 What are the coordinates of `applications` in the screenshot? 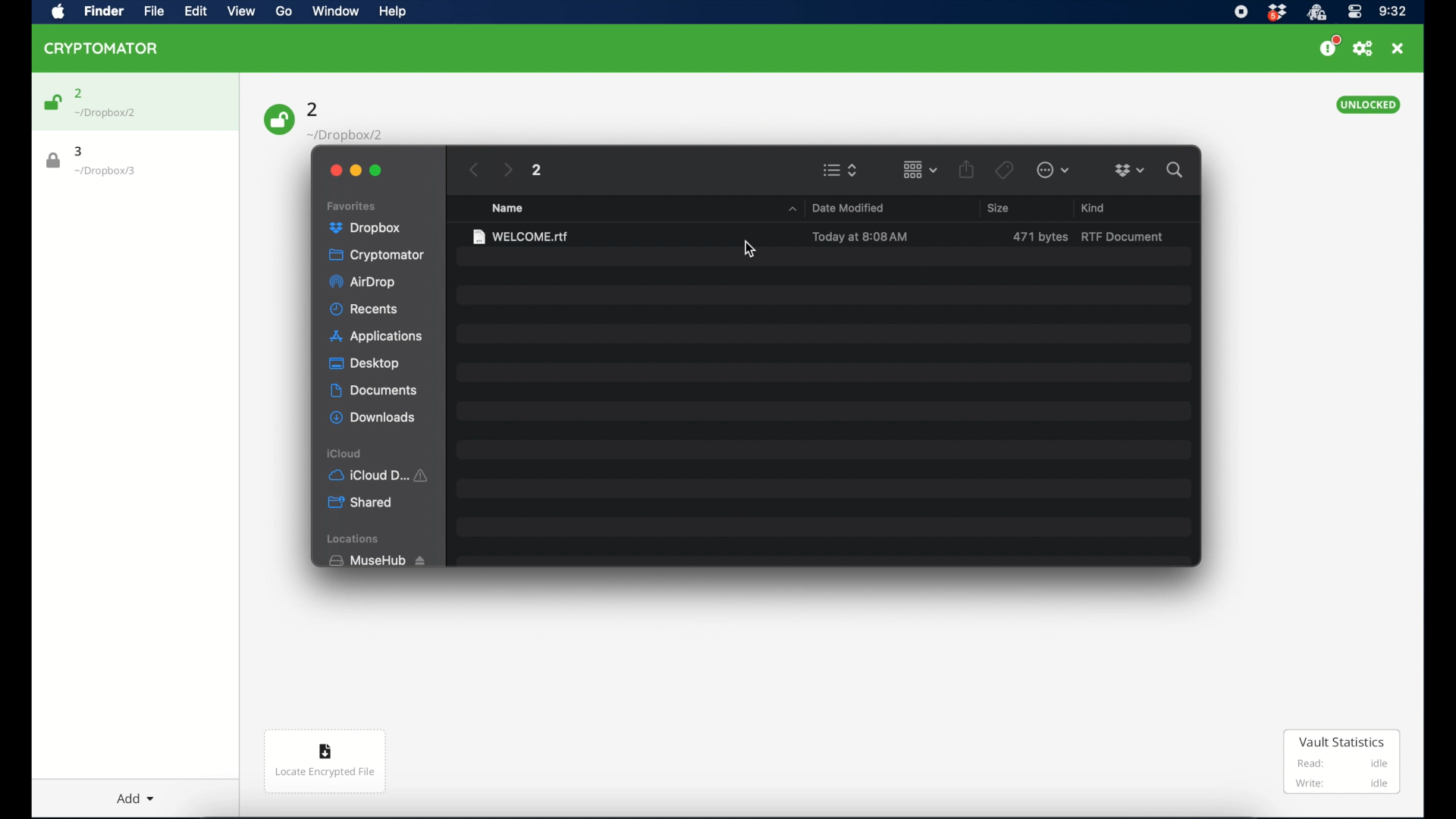 It's located at (378, 337).